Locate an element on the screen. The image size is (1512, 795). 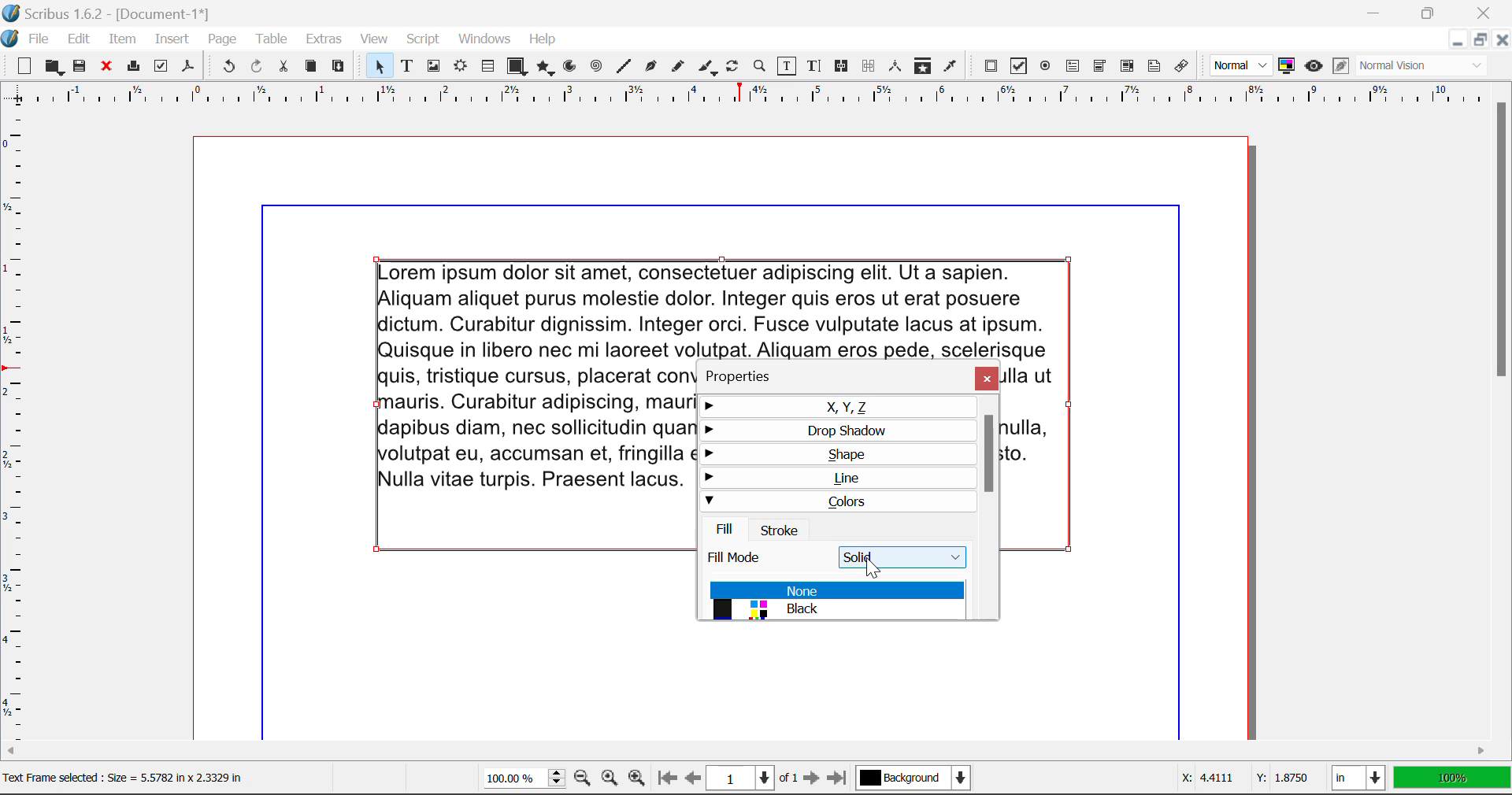
Background is located at coordinates (917, 780).